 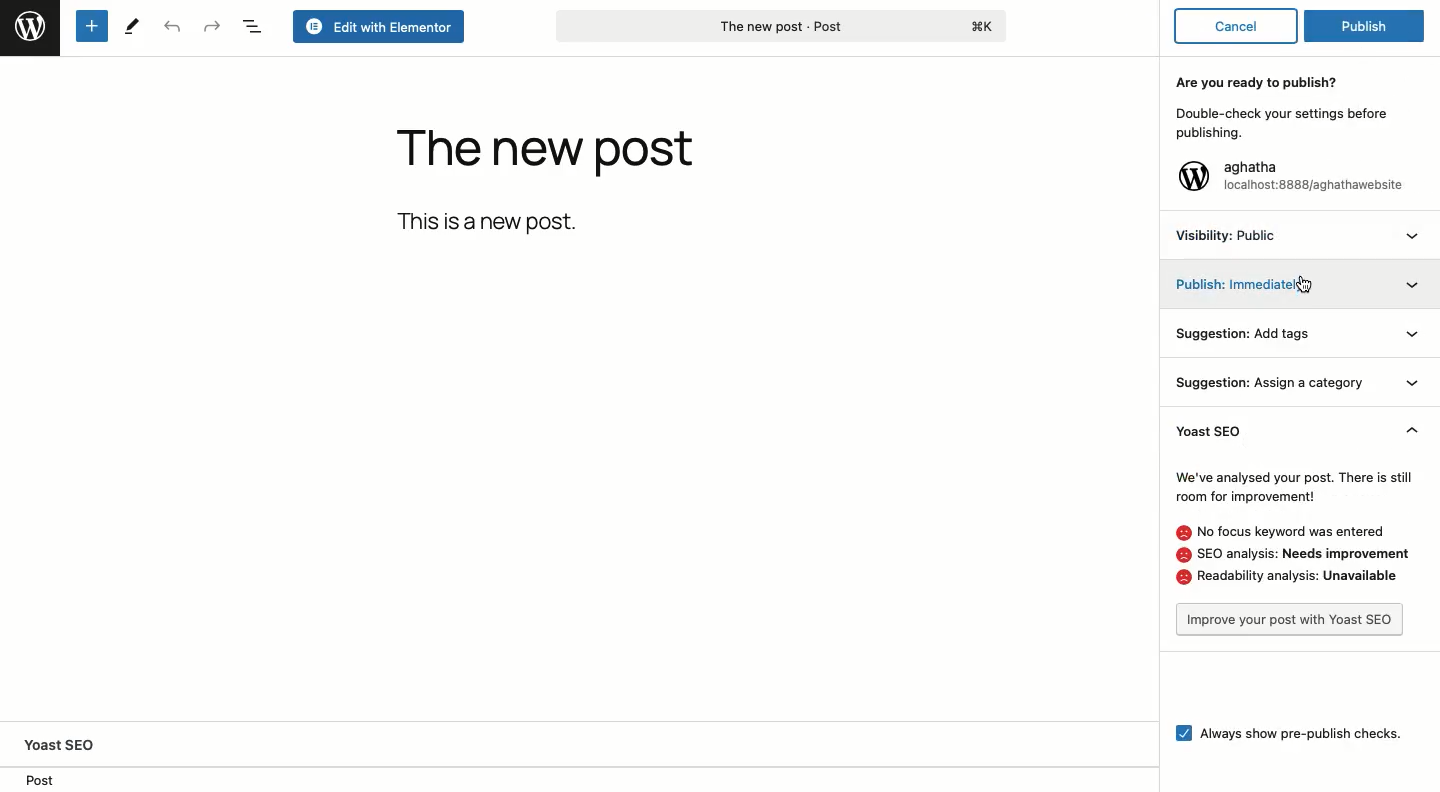 What do you see at coordinates (1292, 621) in the screenshot?
I see `Improve your post with Yoast SEO` at bounding box center [1292, 621].